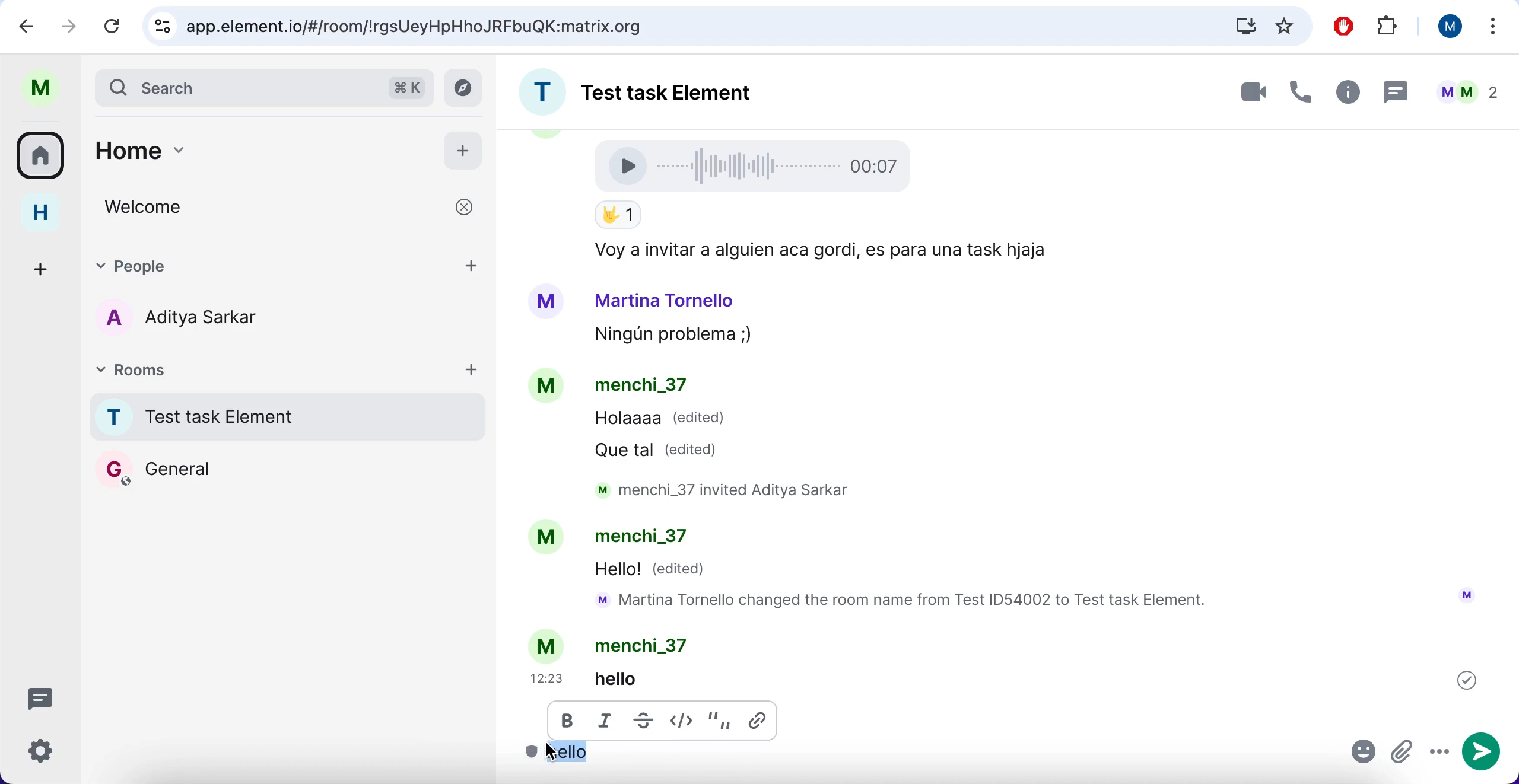 The width and height of the screenshot is (1519, 784). Describe the element at coordinates (1394, 91) in the screenshot. I see `thread` at that location.